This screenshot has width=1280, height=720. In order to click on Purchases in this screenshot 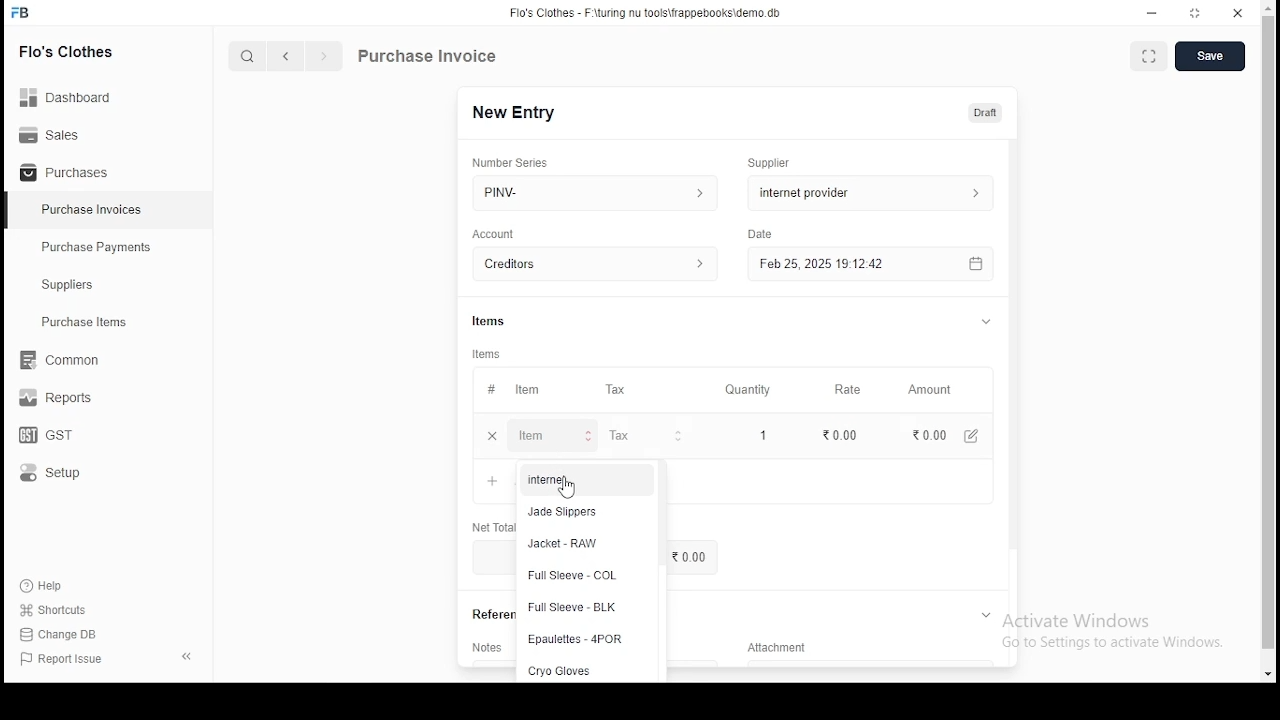, I will do `click(65, 173)`.